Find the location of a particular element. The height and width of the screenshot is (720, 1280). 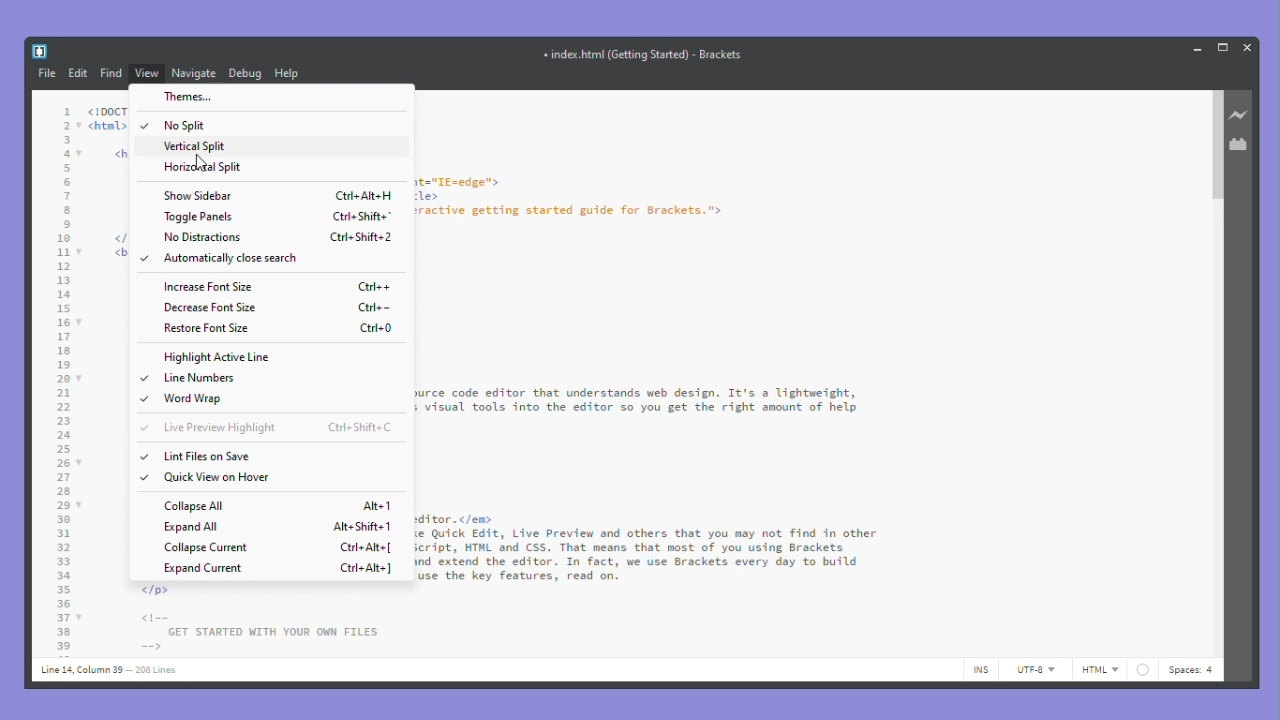

29 is located at coordinates (63, 505).